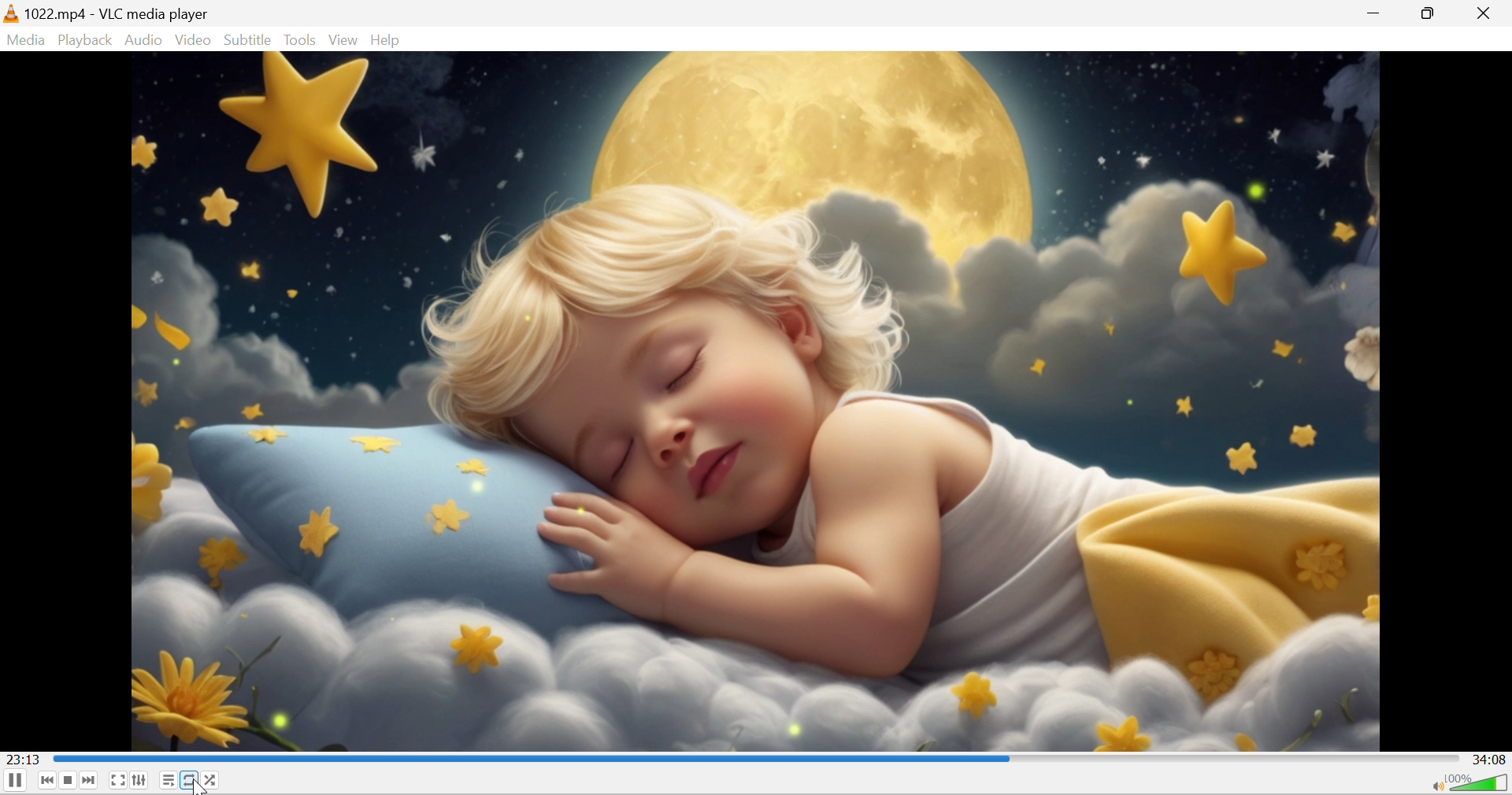 This screenshot has height=795, width=1512. Describe the element at coordinates (1492, 760) in the screenshot. I see `34:08` at that location.